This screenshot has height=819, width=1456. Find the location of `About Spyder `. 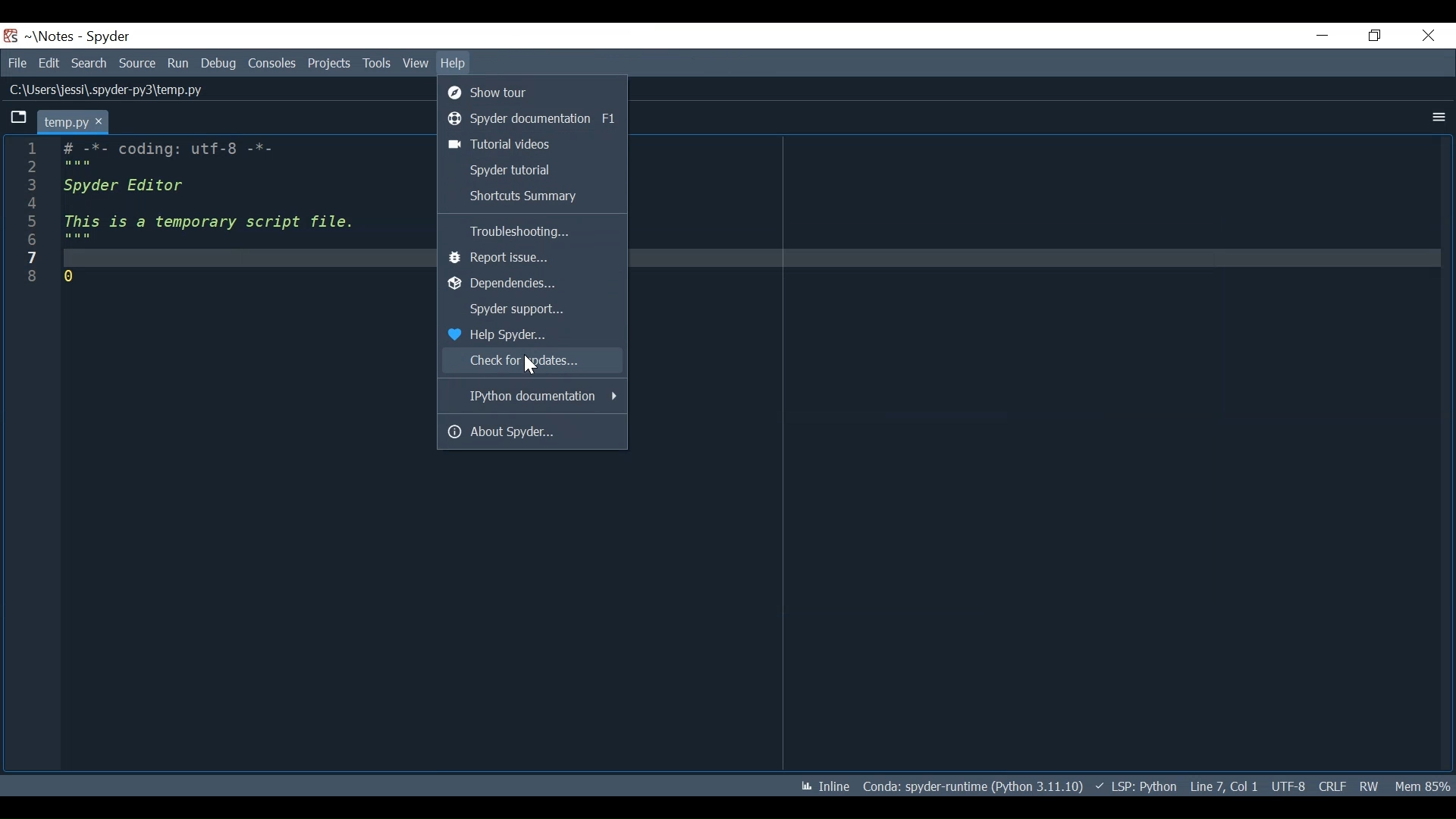

About Spyder  is located at coordinates (531, 432).